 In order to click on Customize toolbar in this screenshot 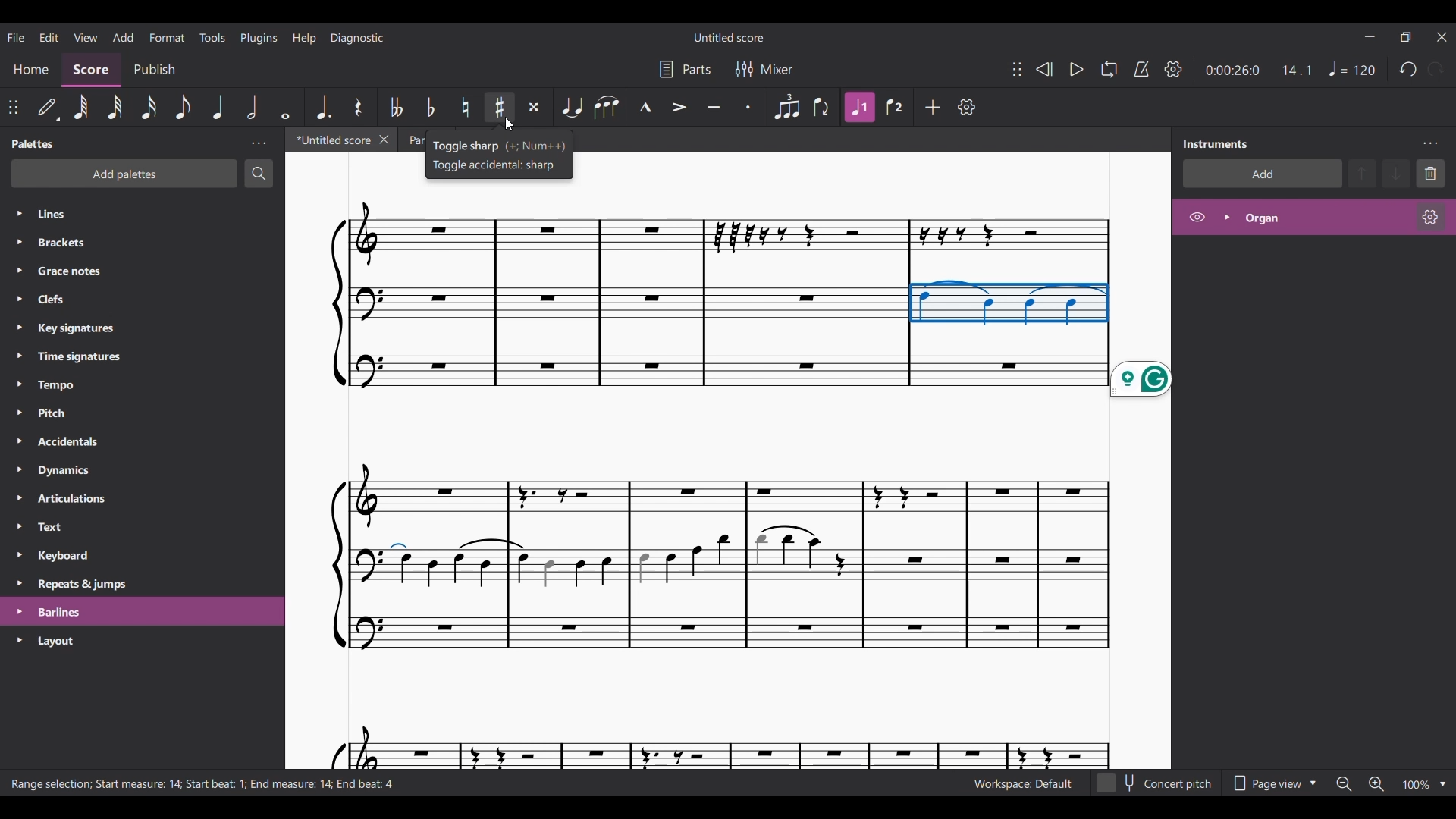, I will do `click(967, 106)`.